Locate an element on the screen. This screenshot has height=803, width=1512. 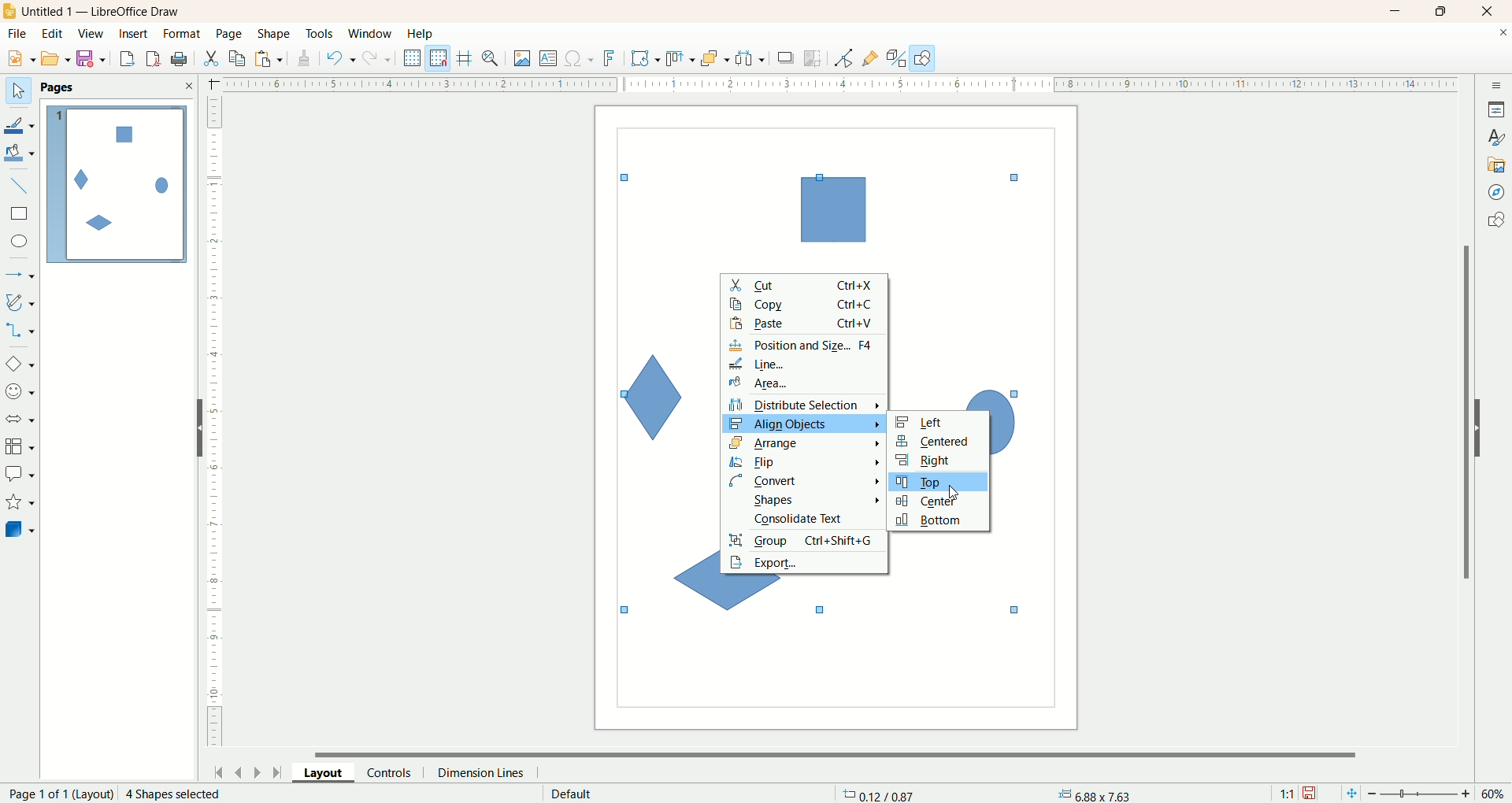
fit to current window is located at coordinates (1350, 794).